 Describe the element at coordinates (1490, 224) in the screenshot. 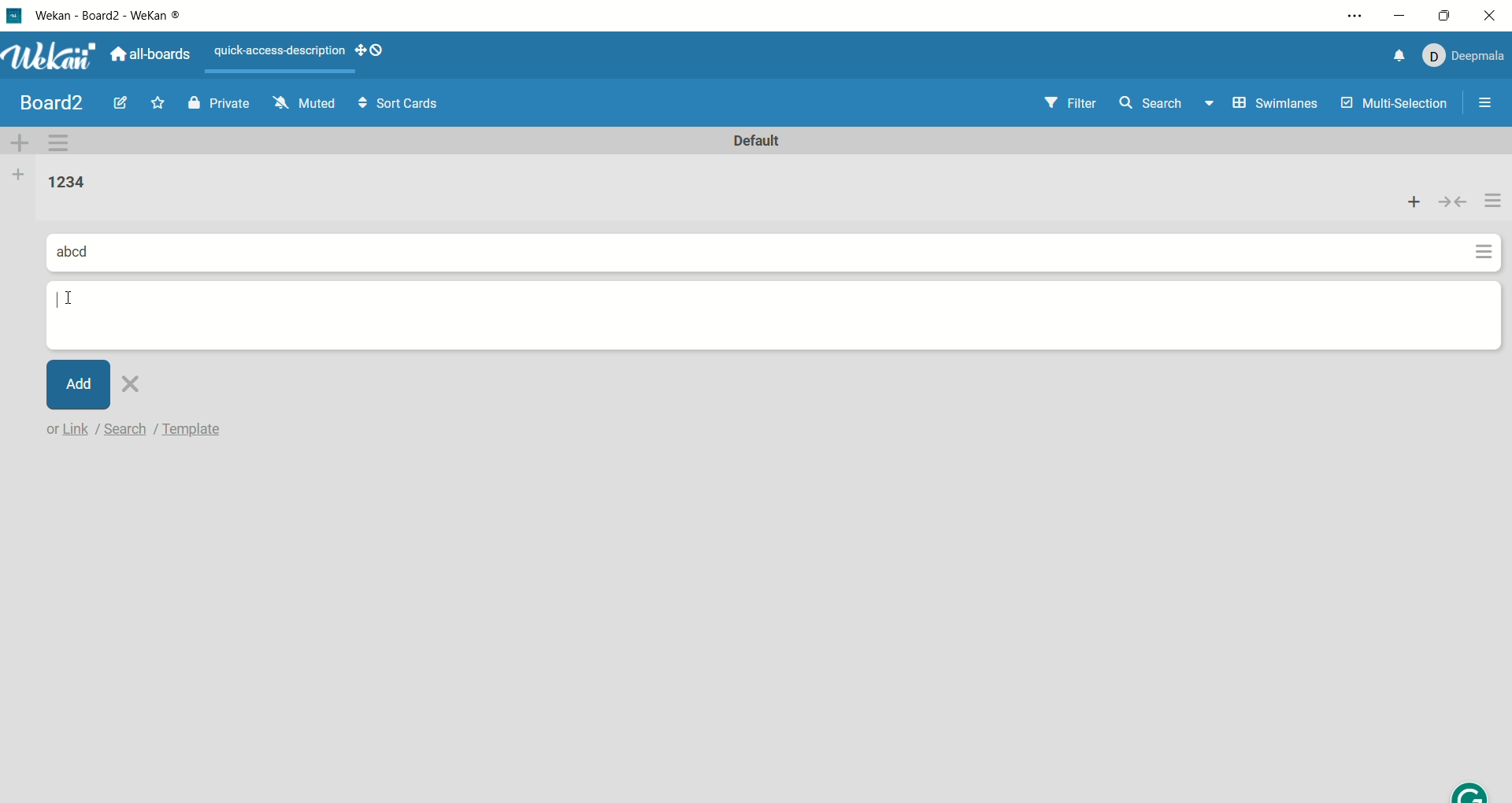

I see `actions` at that location.